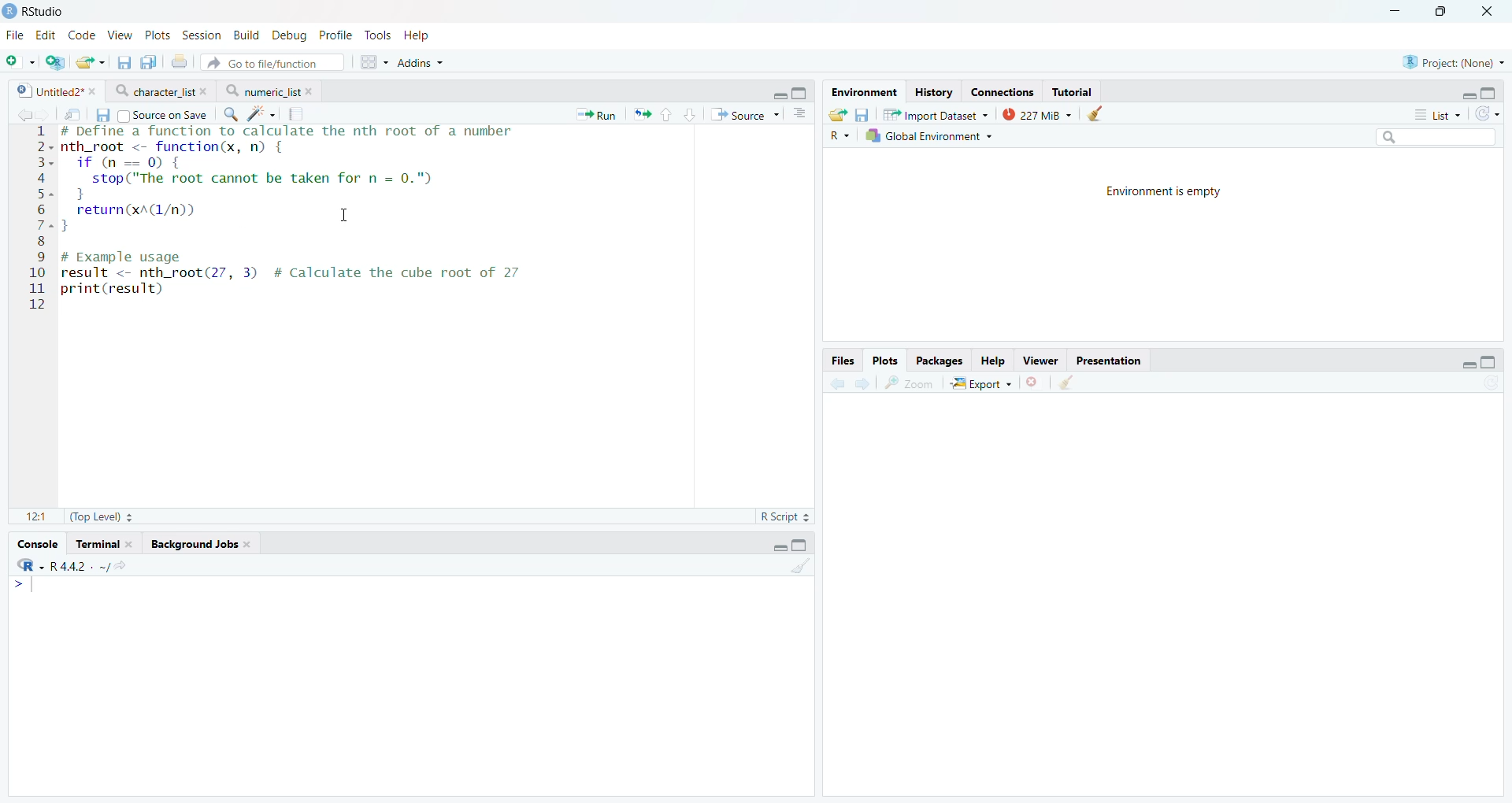 The image size is (1512, 803). What do you see at coordinates (158, 34) in the screenshot?
I see `Plots` at bounding box center [158, 34].